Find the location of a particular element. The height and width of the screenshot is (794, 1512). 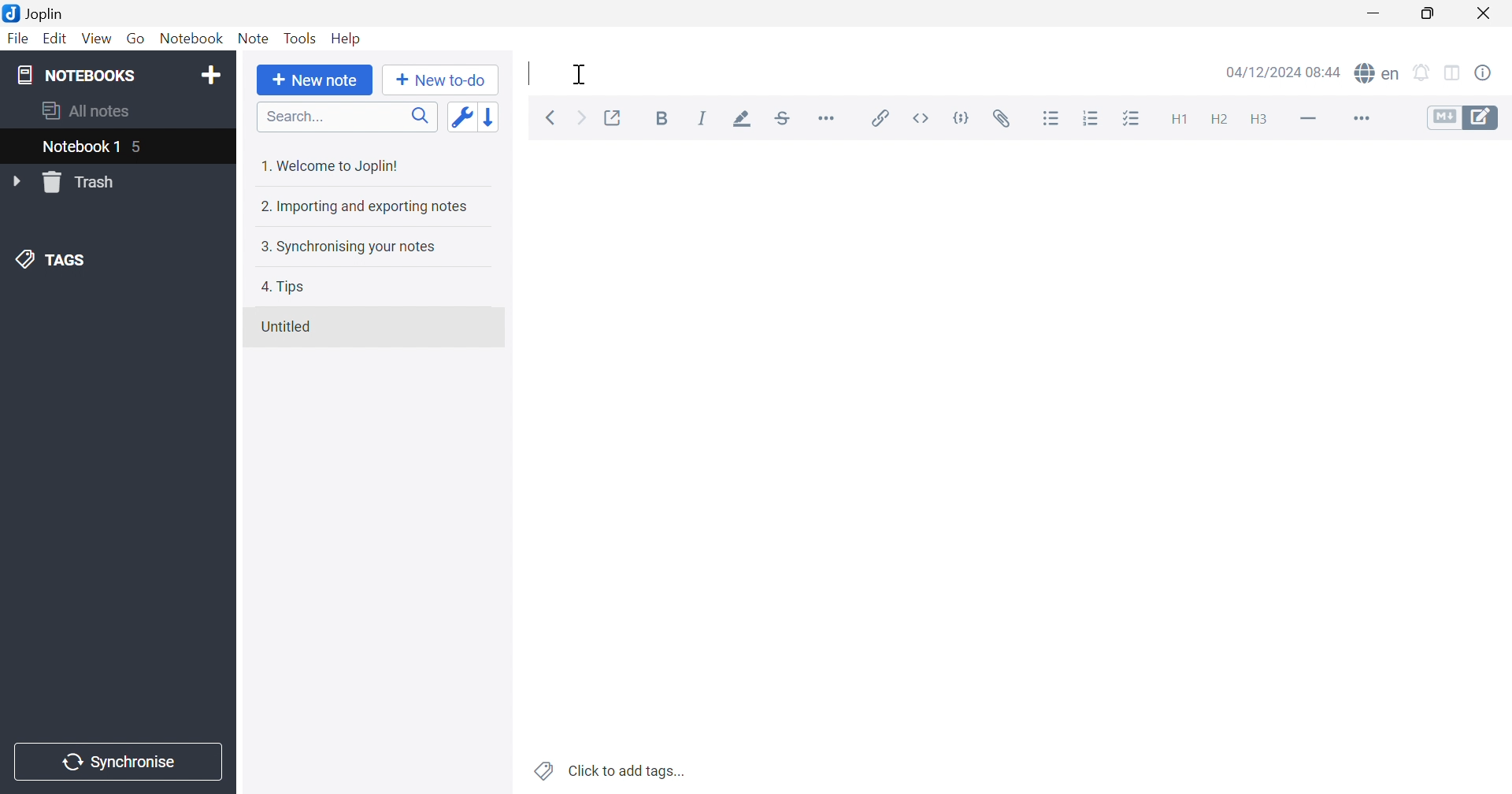

Forward is located at coordinates (580, 117).